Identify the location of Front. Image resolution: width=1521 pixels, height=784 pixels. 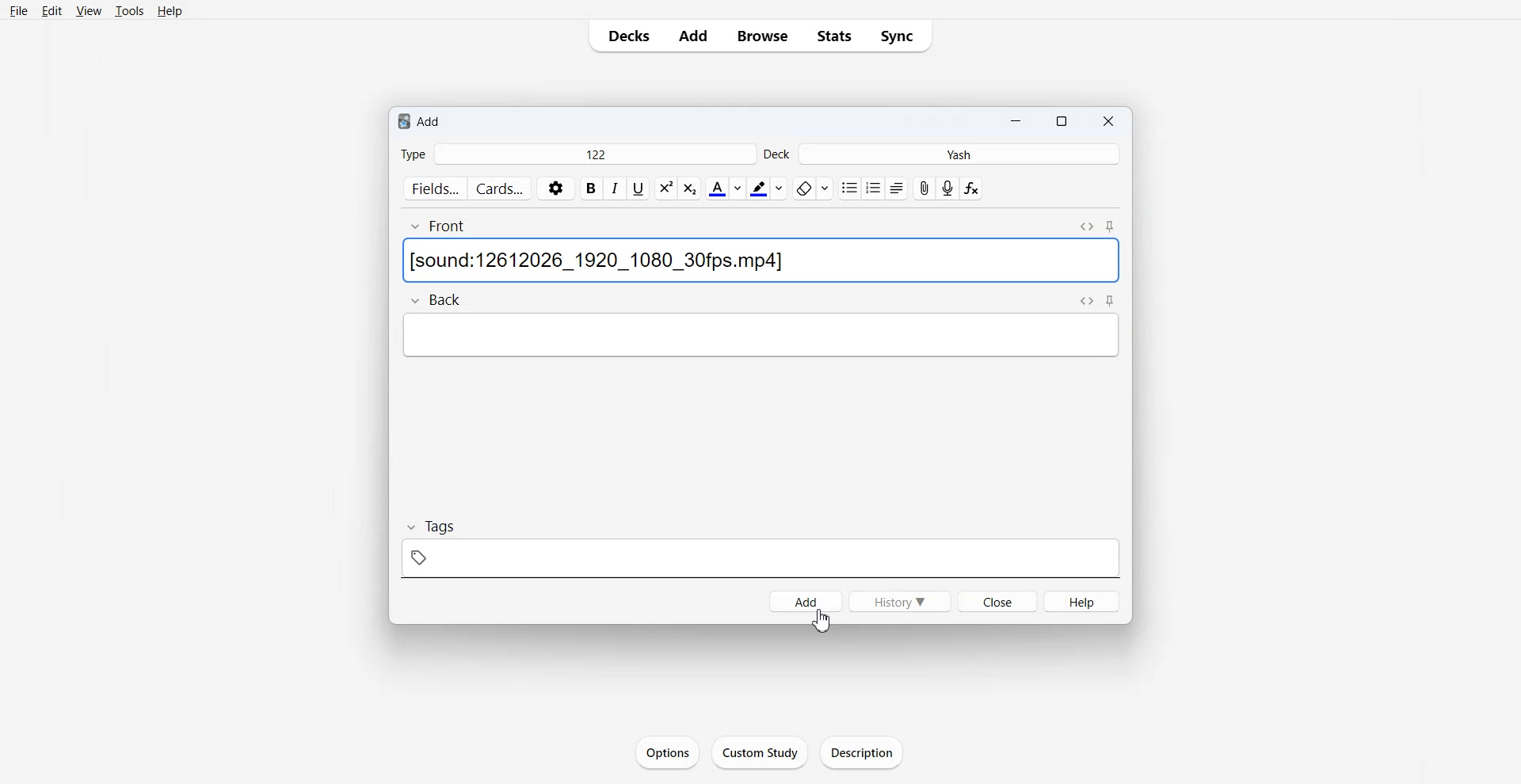
(437, 226).